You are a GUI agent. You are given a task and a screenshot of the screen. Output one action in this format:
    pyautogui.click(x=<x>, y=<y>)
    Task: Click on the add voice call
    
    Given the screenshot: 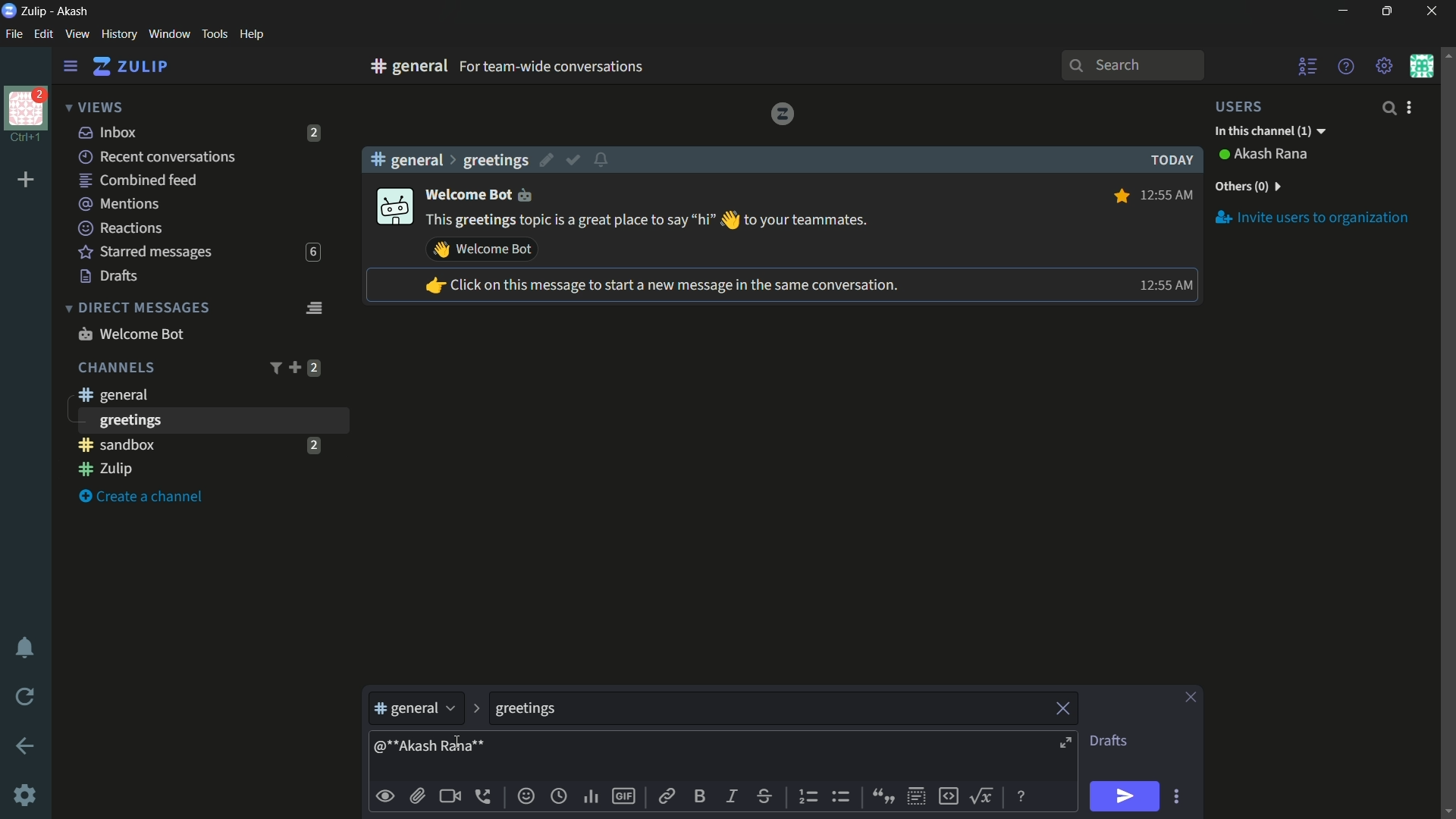 What is the action you would take?
    pyautogui.click(x=486, y=796)
    